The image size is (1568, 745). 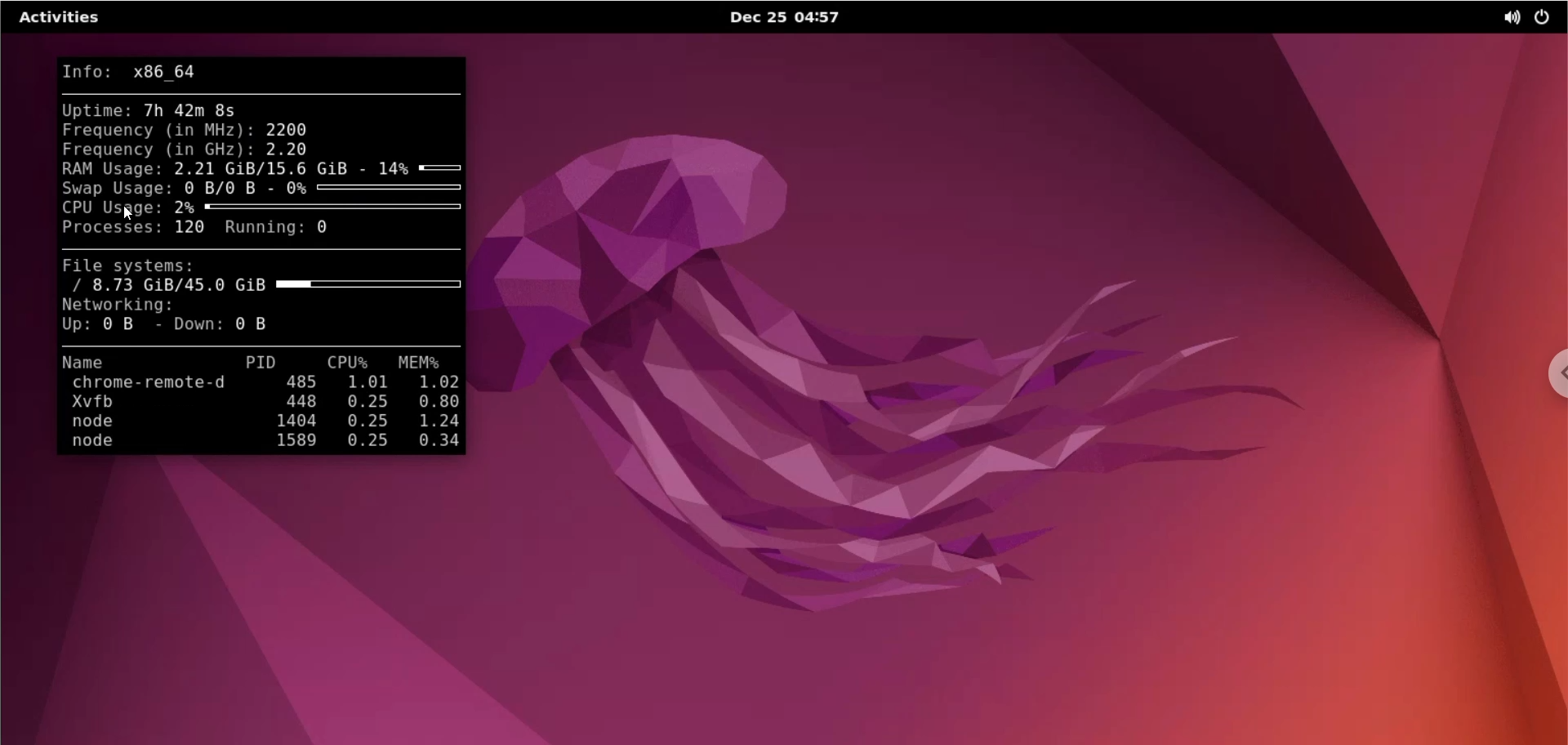 What do you see at coordinates (168, 72) in the screenshot?
I see `x86_64` at bounding box center [168, 72].